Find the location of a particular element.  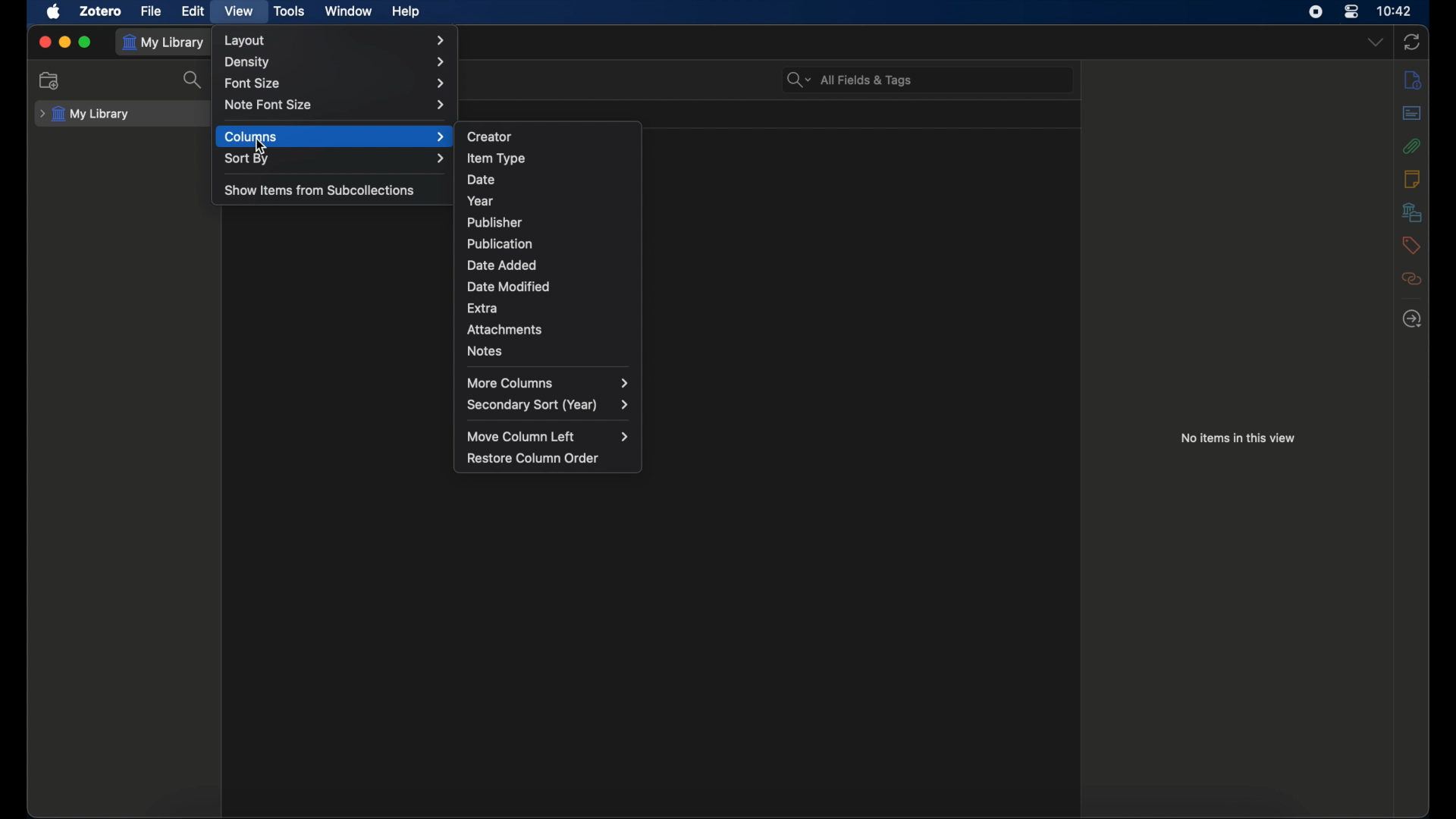

window is located at coordinates (347, 11).